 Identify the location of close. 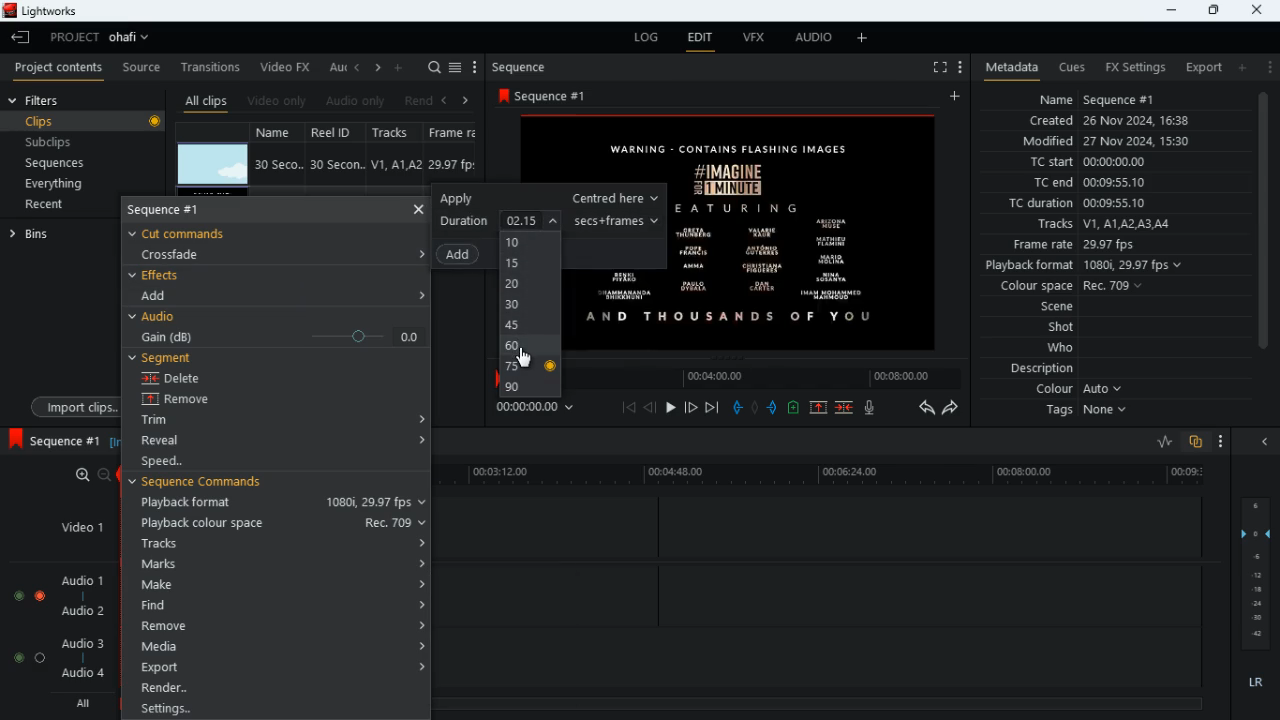
(418, 208).